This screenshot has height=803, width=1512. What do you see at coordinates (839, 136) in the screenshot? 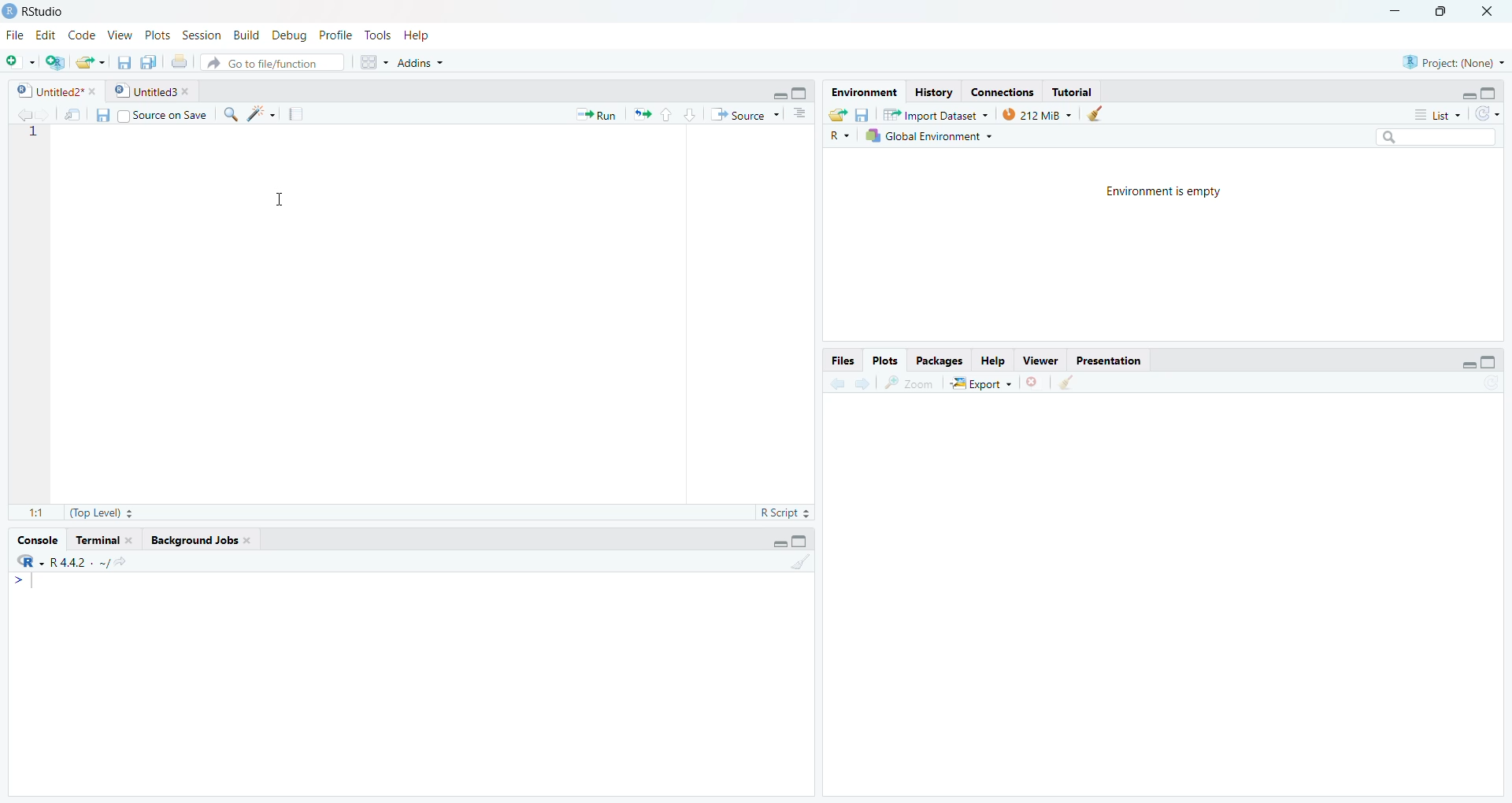
I see `R` at bounding box center [839, 136].